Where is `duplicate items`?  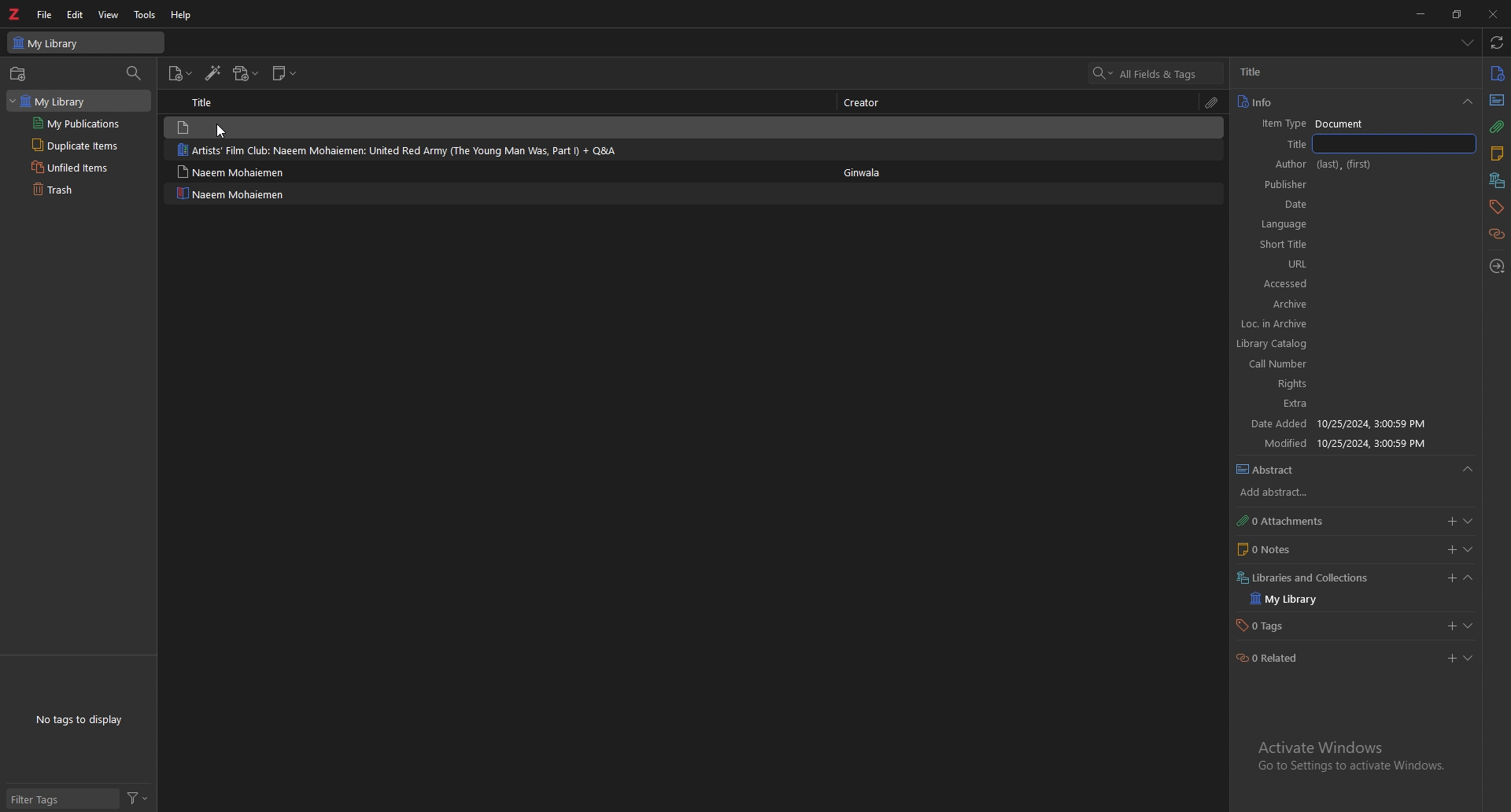
duplicate items is located at coordinates (73, 146).